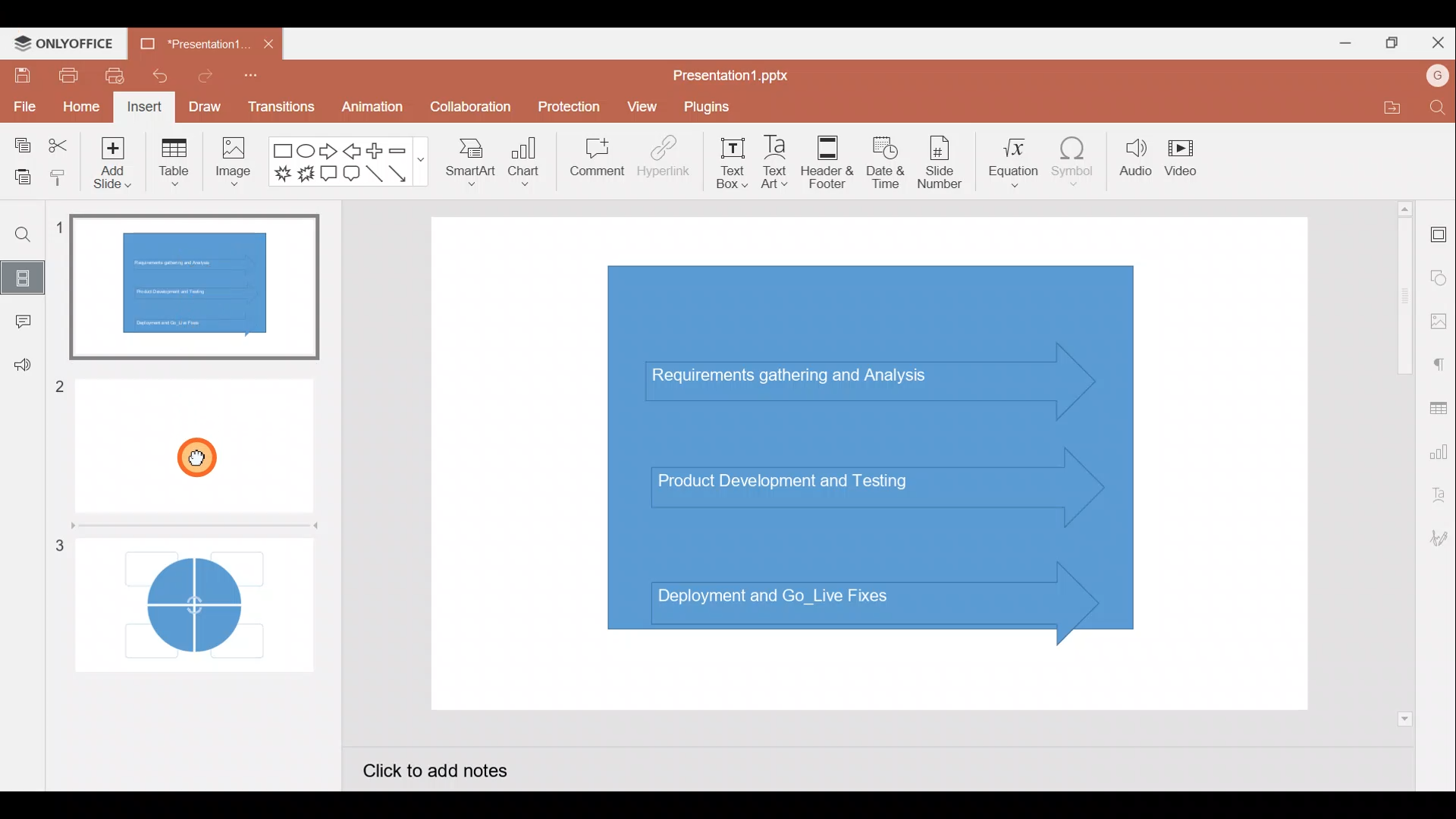  I want to click on Animation, so click(369, 106).